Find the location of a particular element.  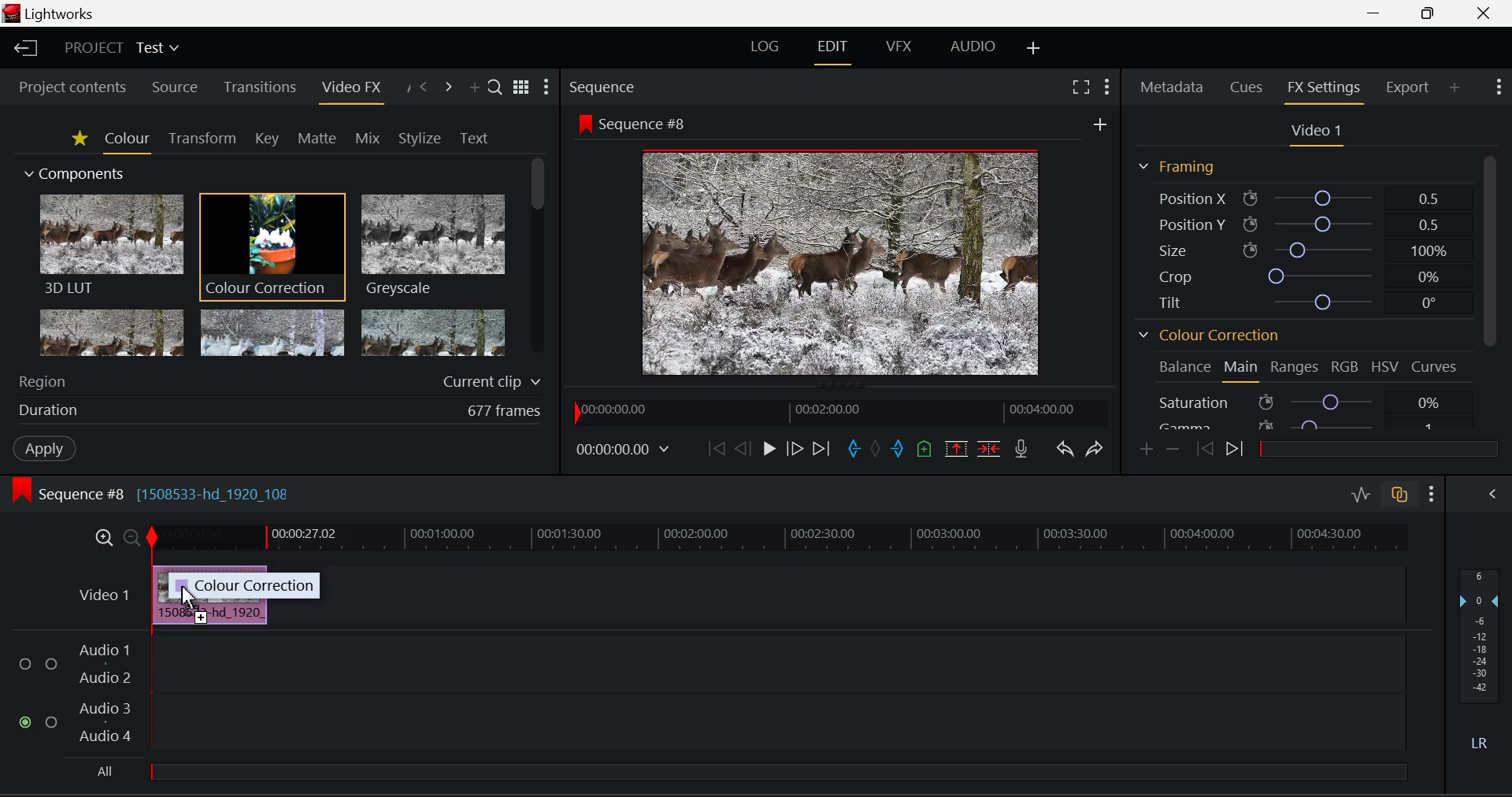

Source is located at coordinates (176, 87).